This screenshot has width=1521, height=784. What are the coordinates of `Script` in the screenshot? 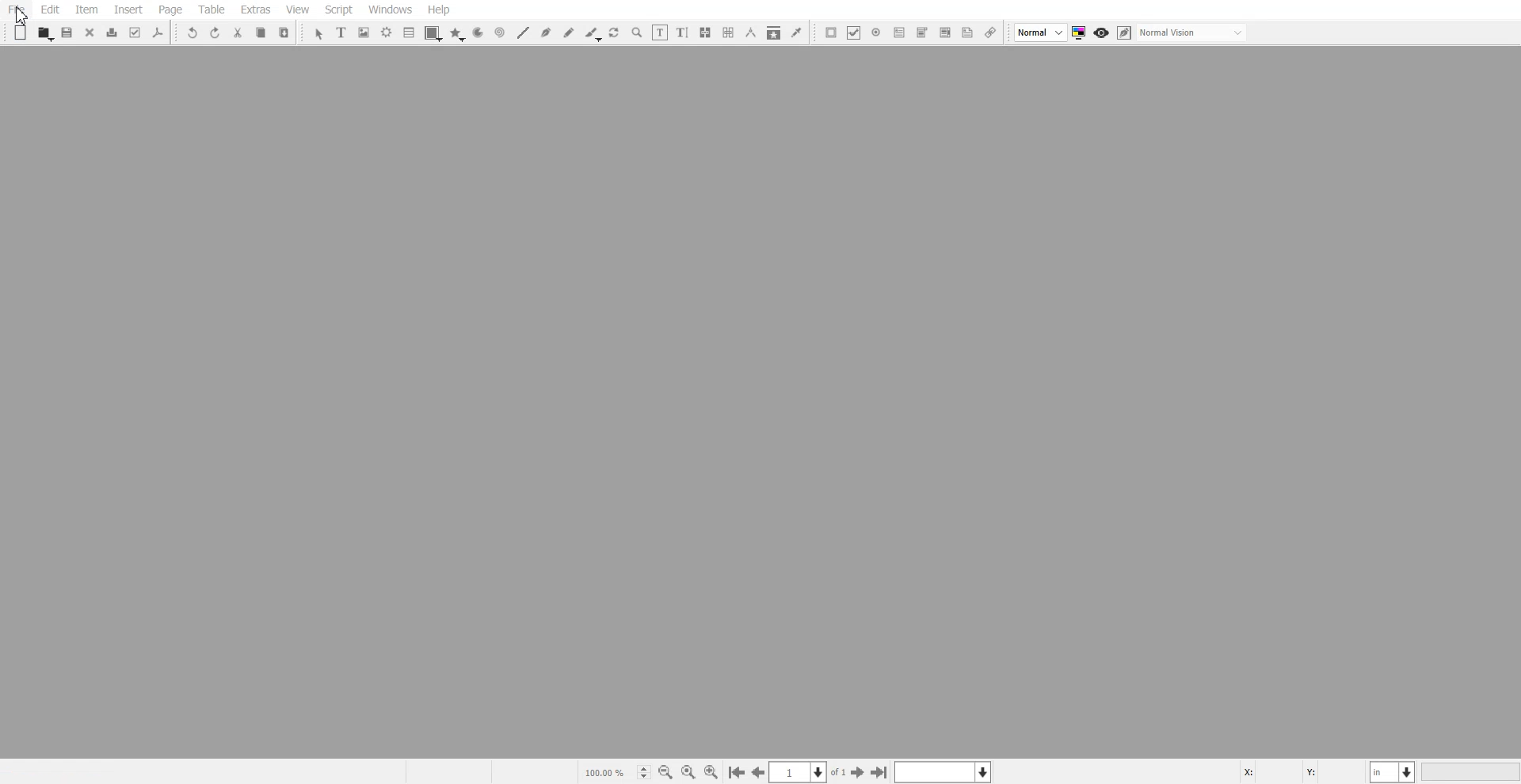 It's located at (339, 10).